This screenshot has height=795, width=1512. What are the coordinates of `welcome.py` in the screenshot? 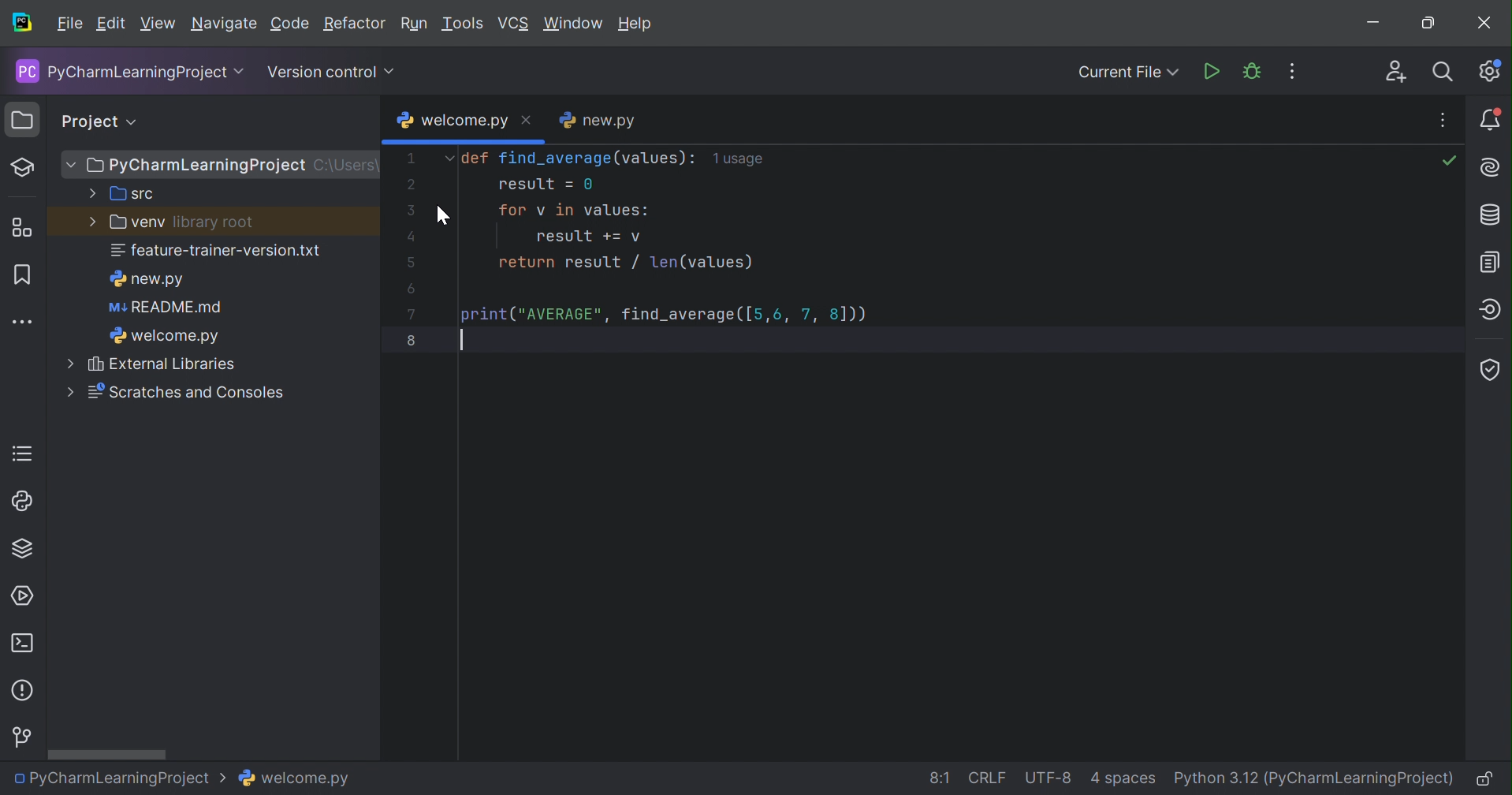 It's located at (454, 121).